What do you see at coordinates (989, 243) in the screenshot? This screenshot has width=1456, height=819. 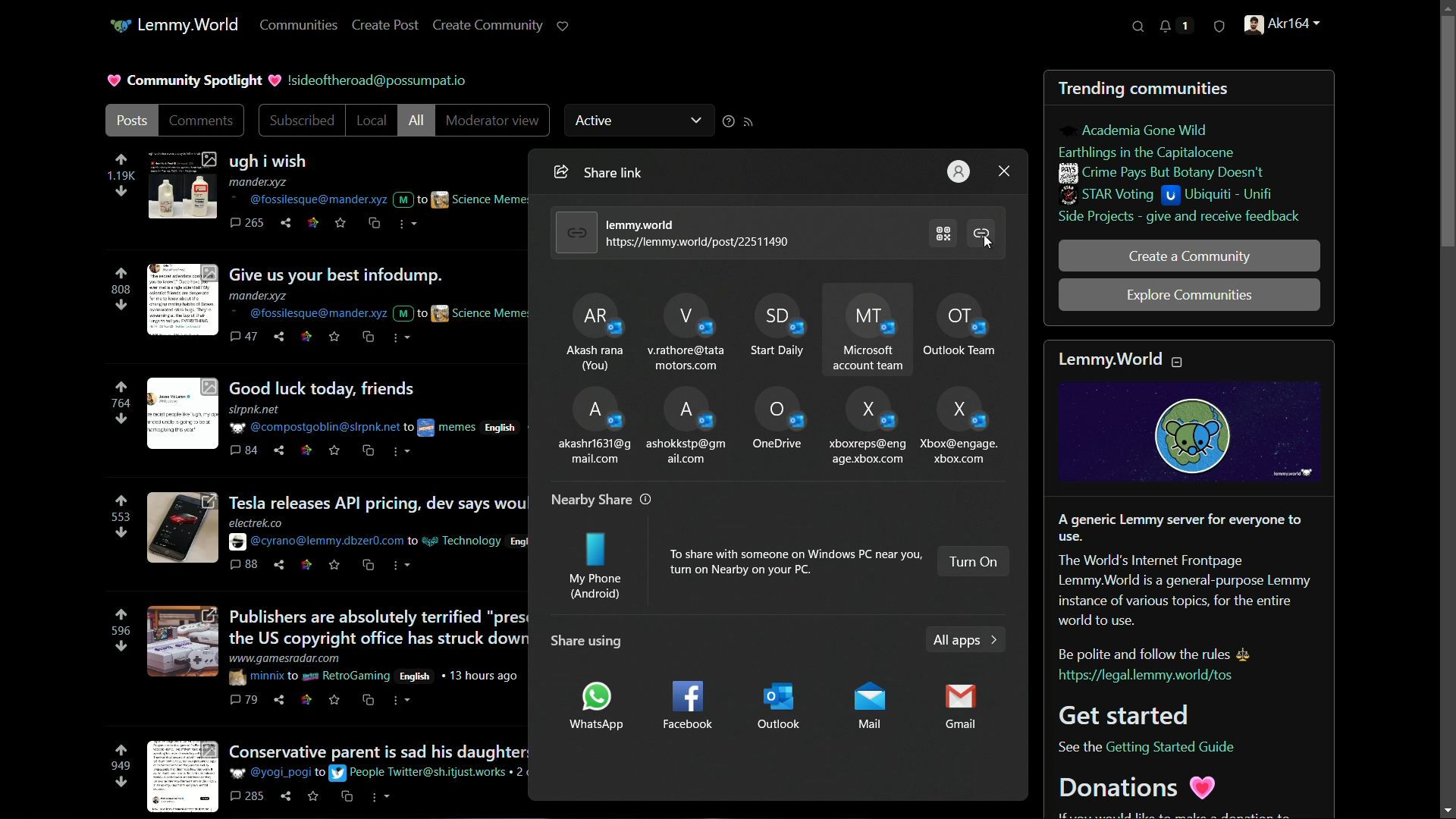 I see `cursor` at bounding box center [989, 243].